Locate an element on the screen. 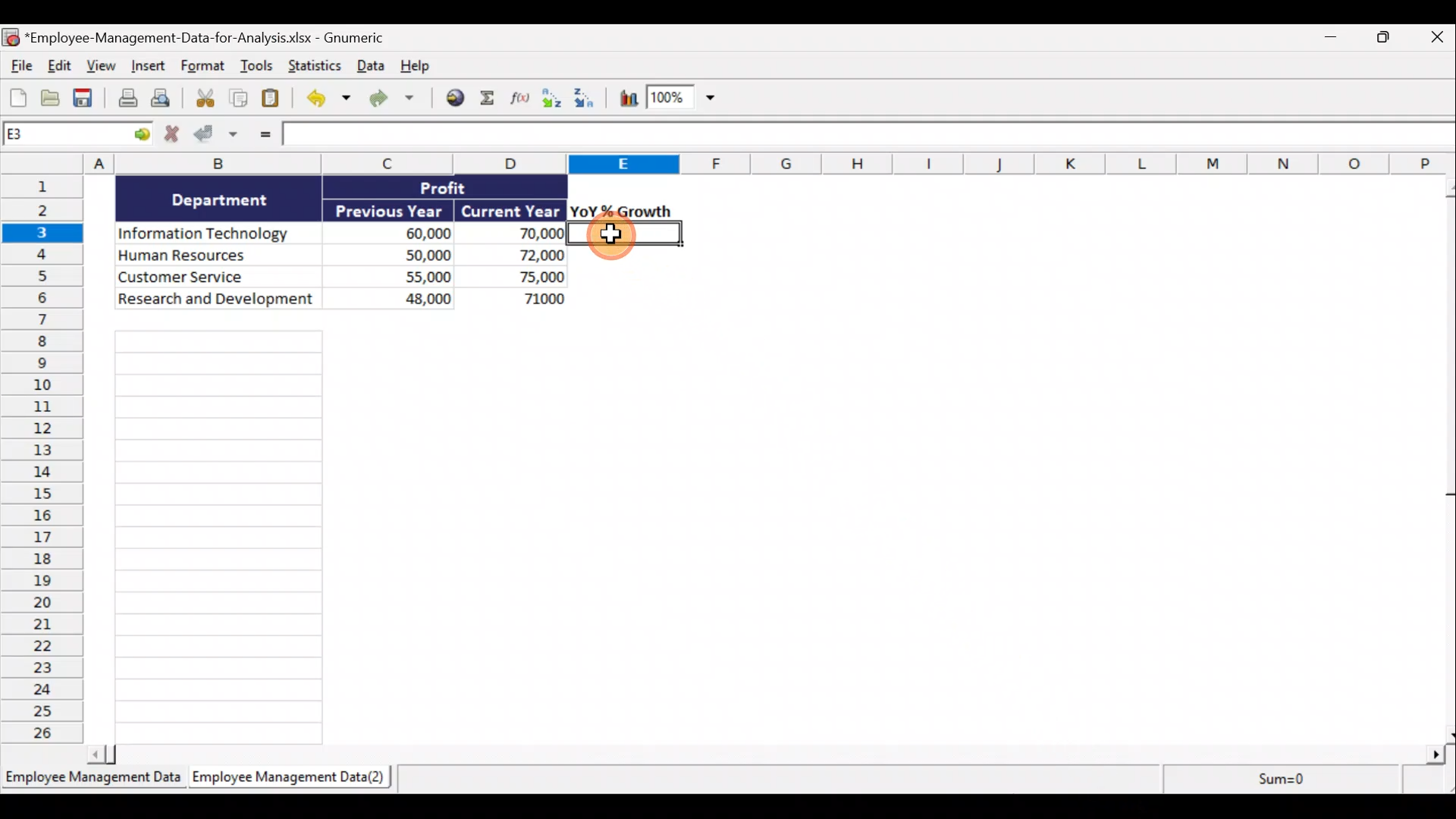  Sort Ascending is located at coordinates (553, 100).